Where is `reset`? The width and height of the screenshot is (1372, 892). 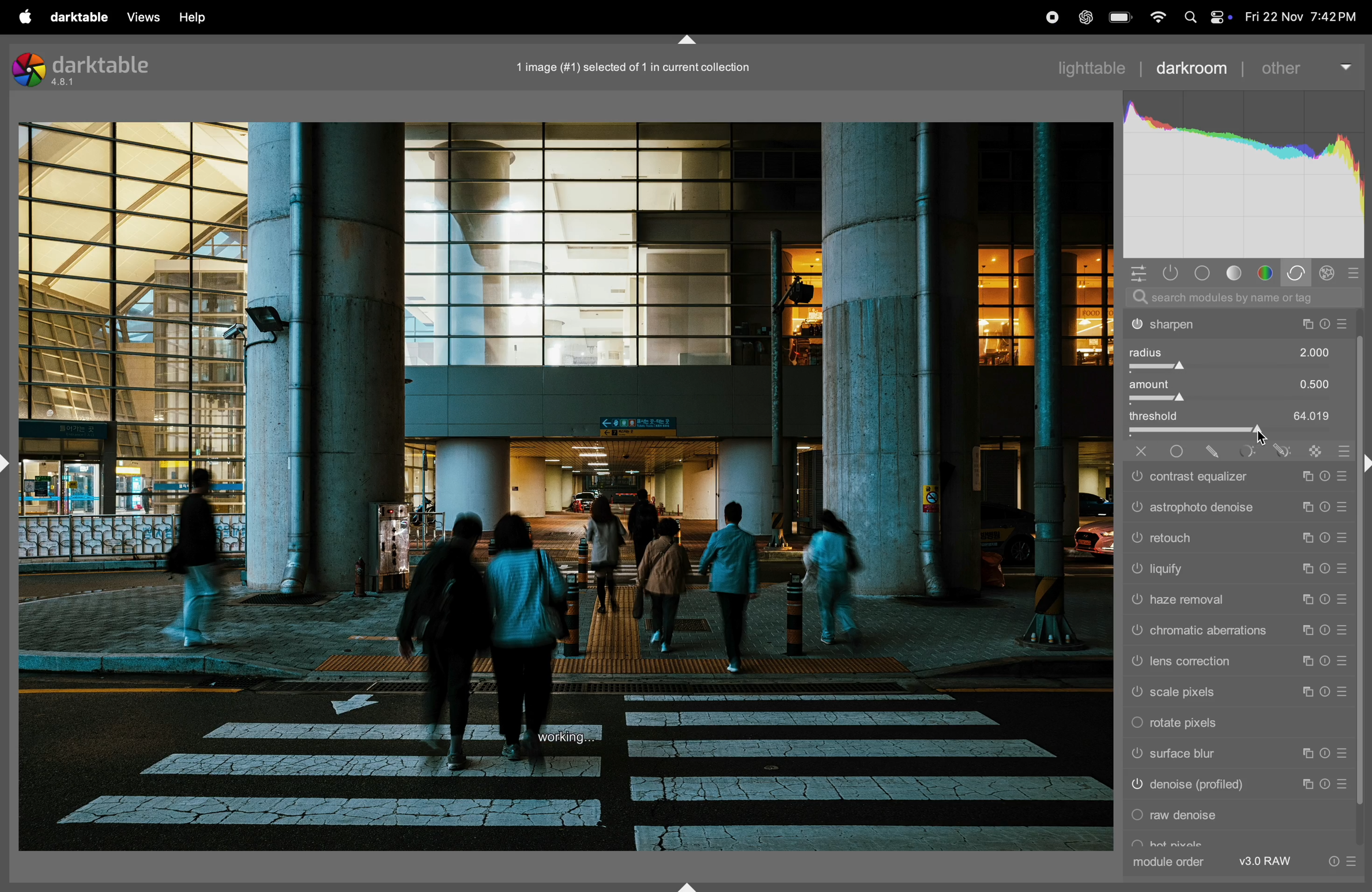
reset is located at coordinates (1356, 273).